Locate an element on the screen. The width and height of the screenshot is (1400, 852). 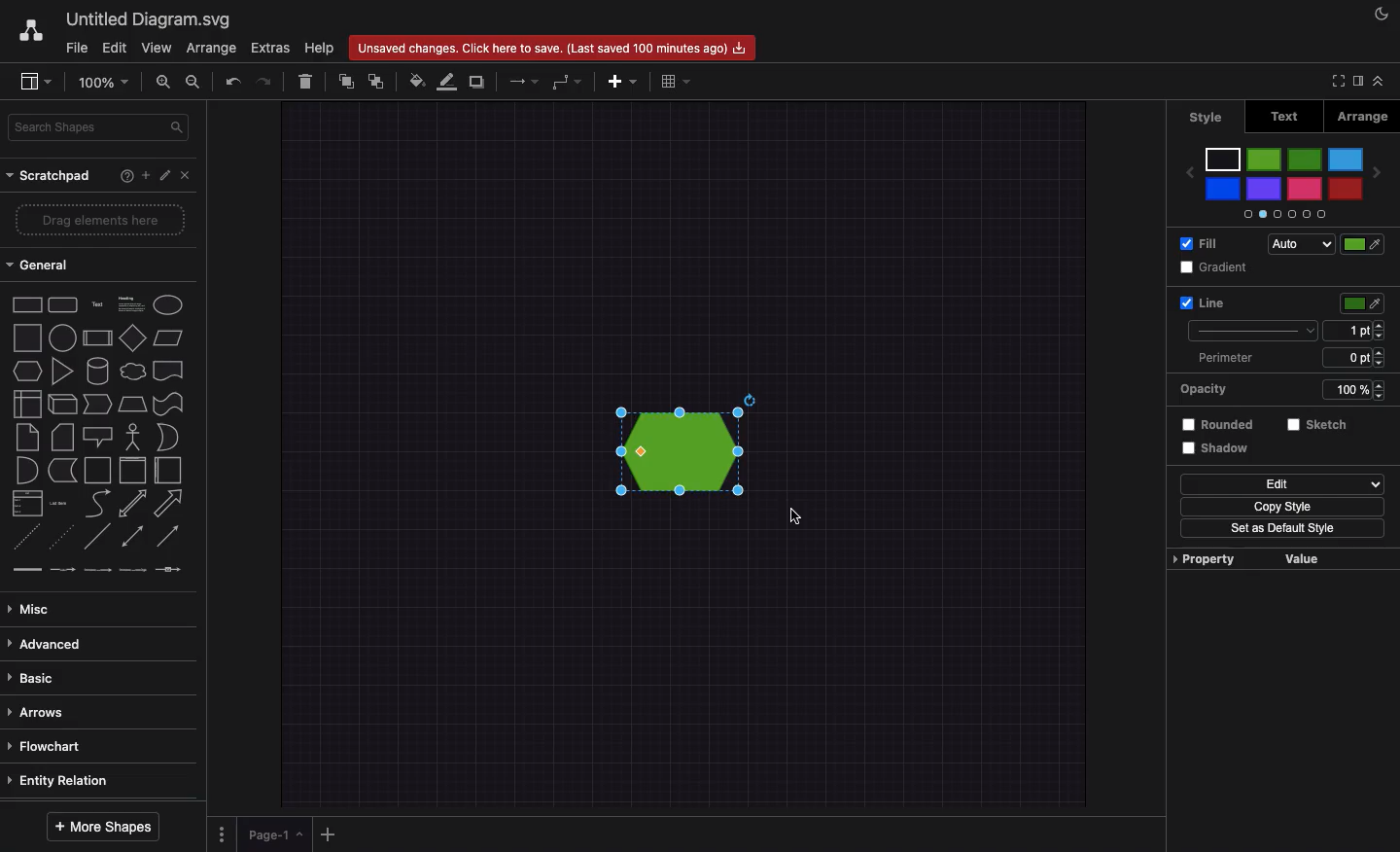
Unsaved changes. Click here to save. is located at coordinates (553, 47).